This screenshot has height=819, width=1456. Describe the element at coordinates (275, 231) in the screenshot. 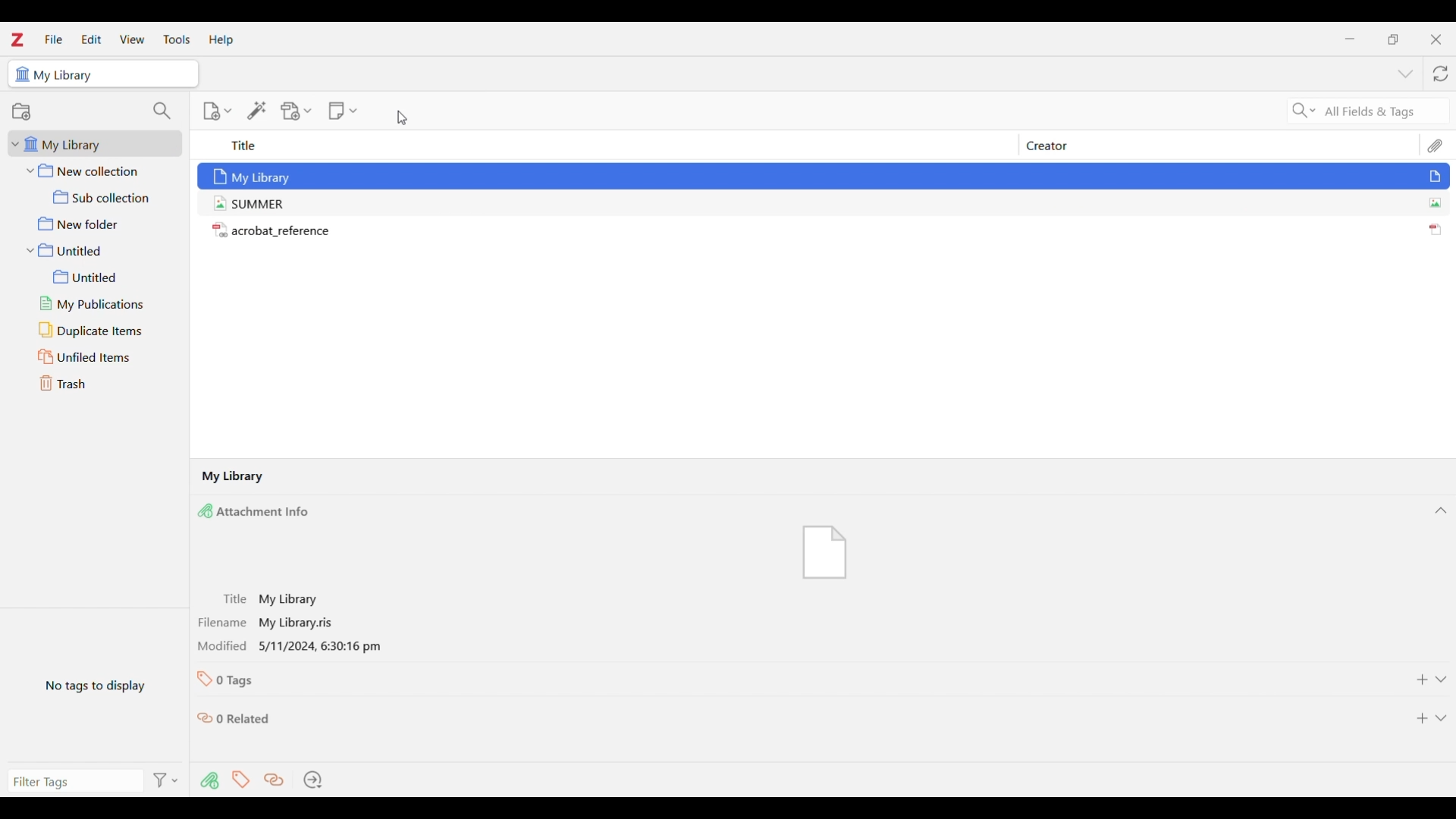

I see `Acrobat_reference` at that location.